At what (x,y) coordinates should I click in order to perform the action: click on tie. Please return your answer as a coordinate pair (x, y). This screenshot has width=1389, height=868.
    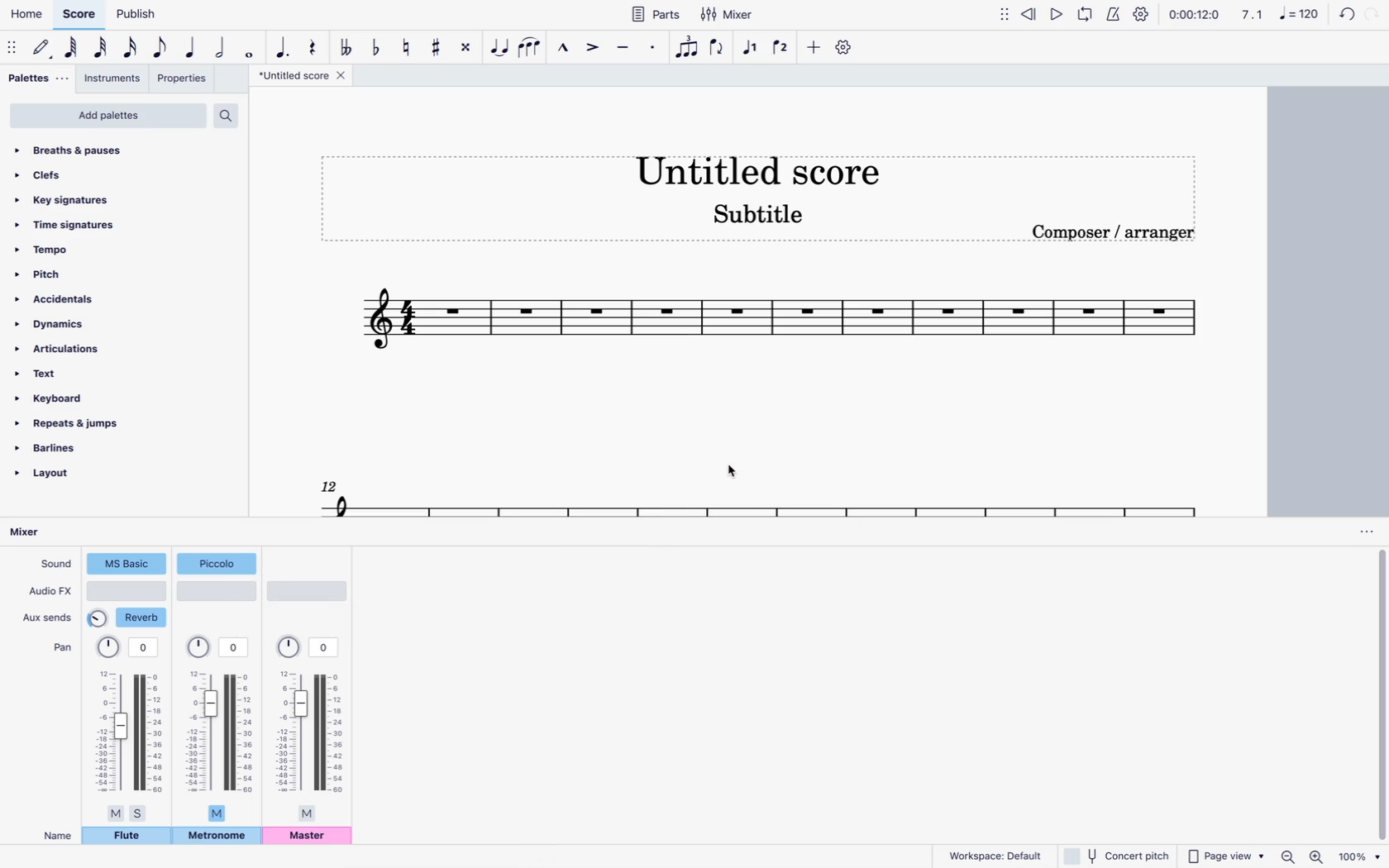
    Looking at the image, I should click on (500, 49).